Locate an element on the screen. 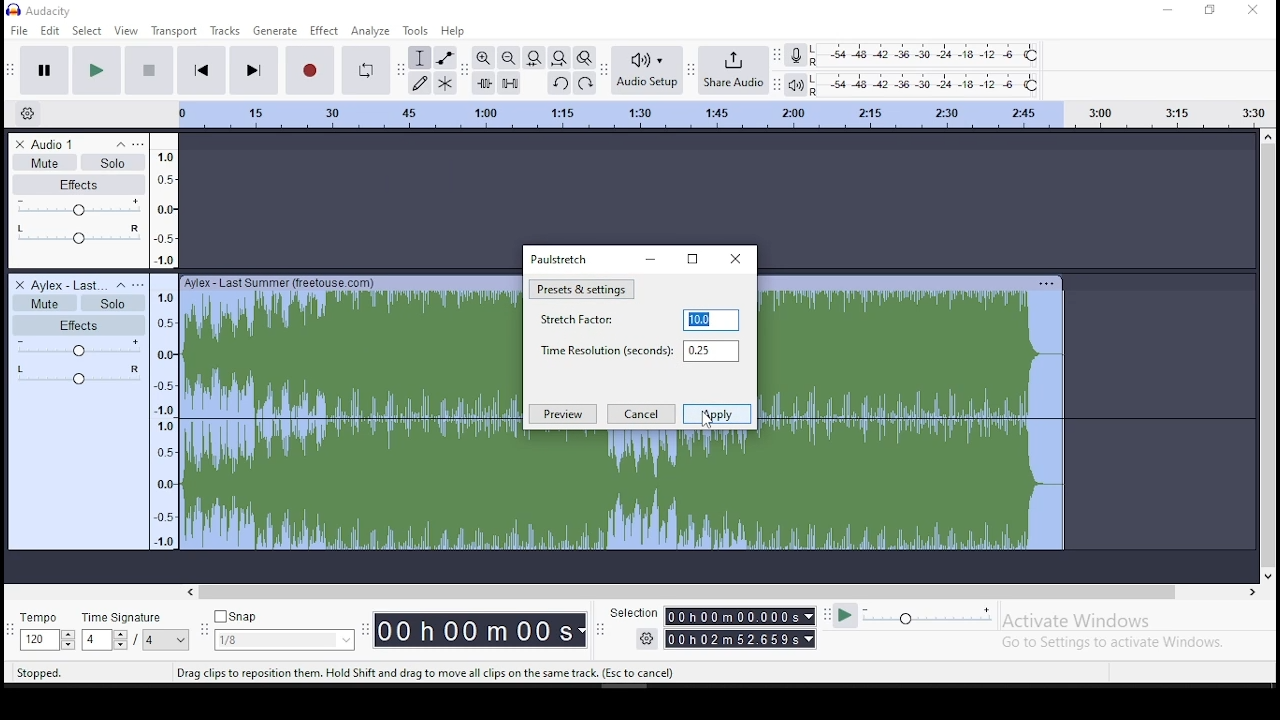  select is located at coordinates (85, 30).